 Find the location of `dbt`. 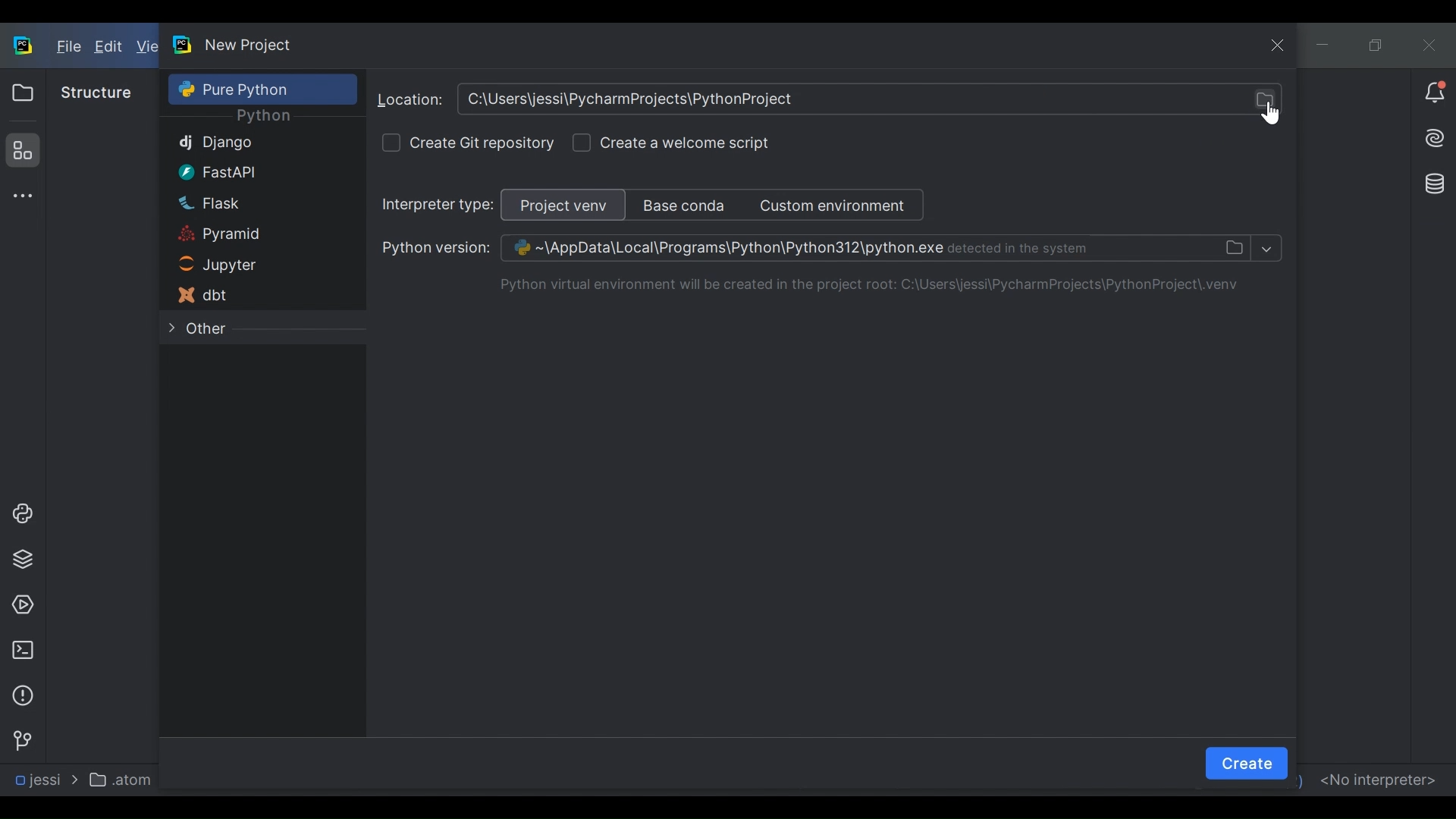

dbt is located at coordinates (250, 296).